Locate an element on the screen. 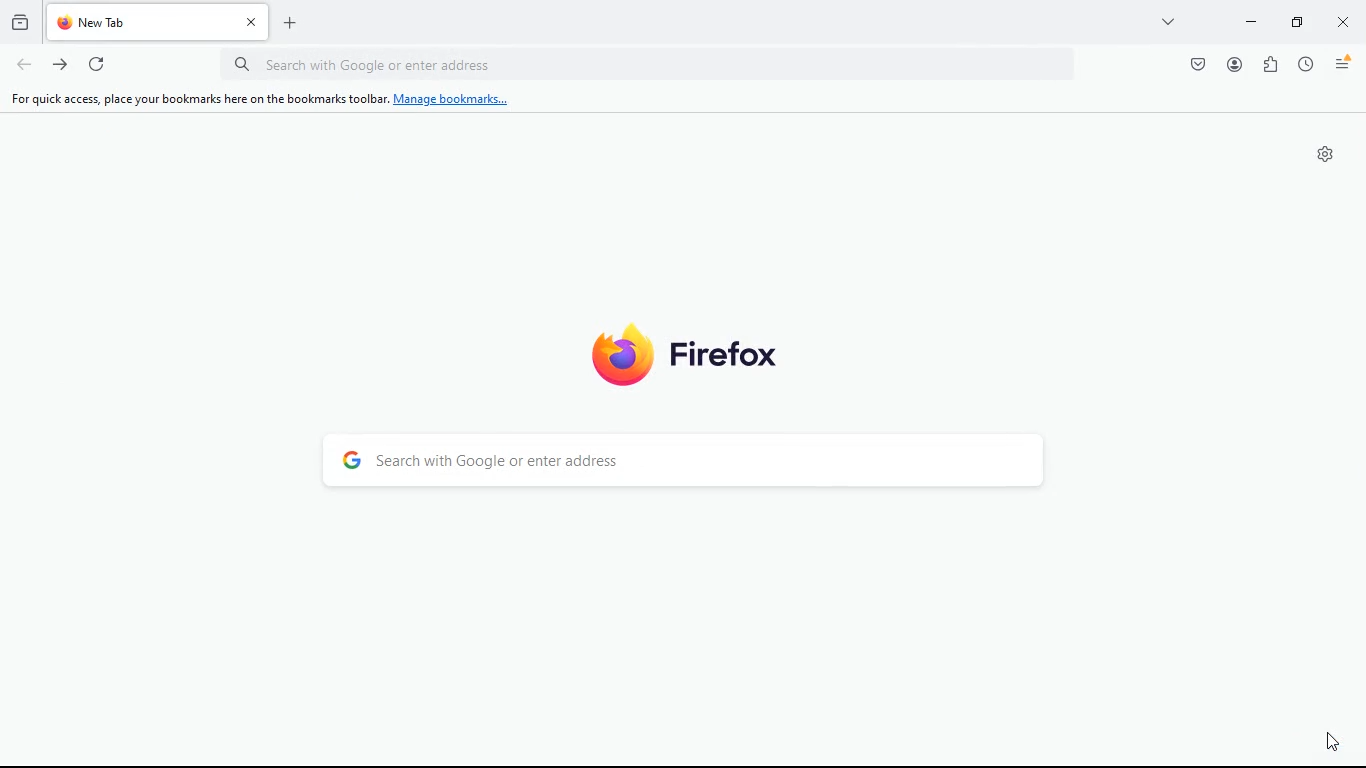 The height and width of the screenshot is (768, 1366). Cursor is located at coordinates (1334, 741).